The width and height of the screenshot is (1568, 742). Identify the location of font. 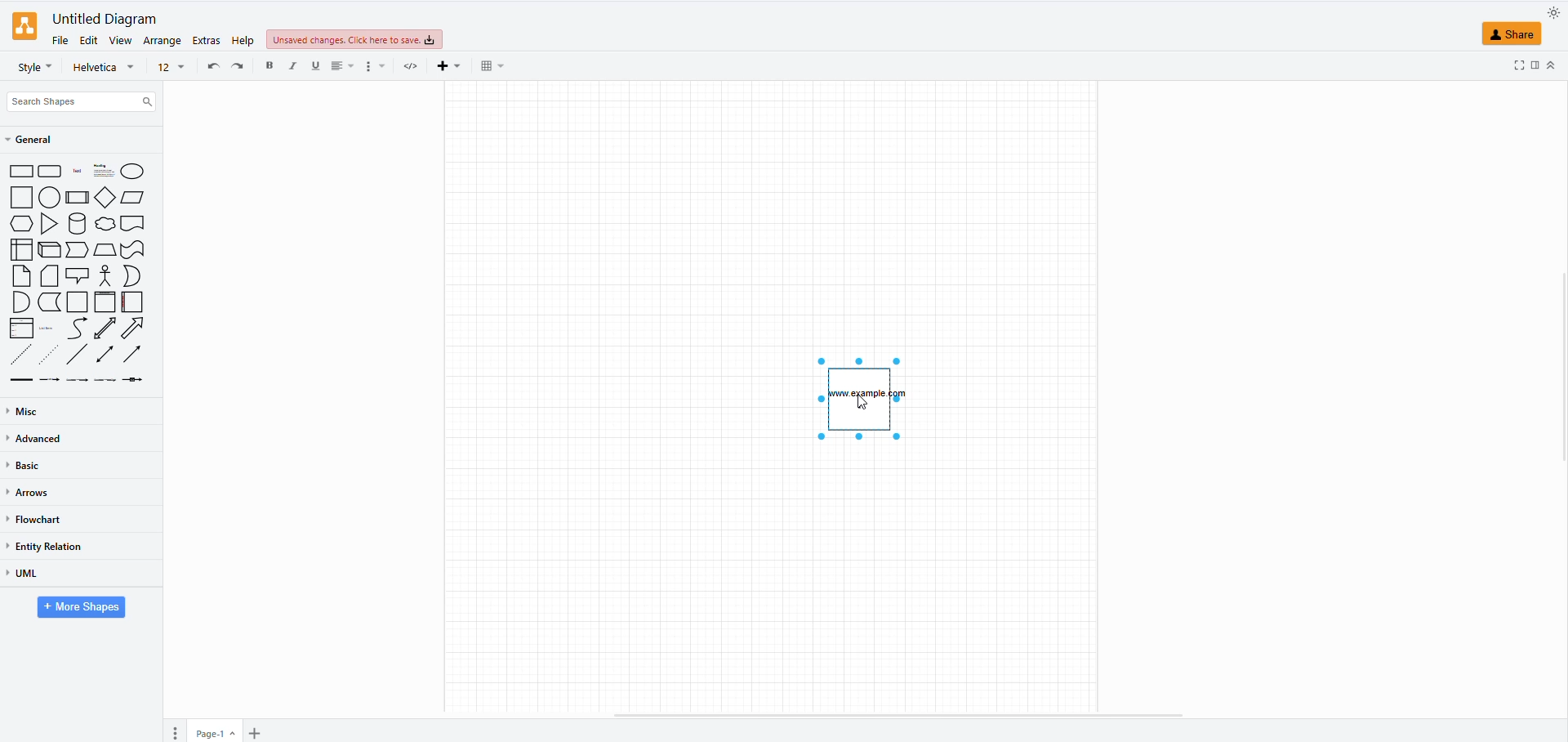
(104, 67).